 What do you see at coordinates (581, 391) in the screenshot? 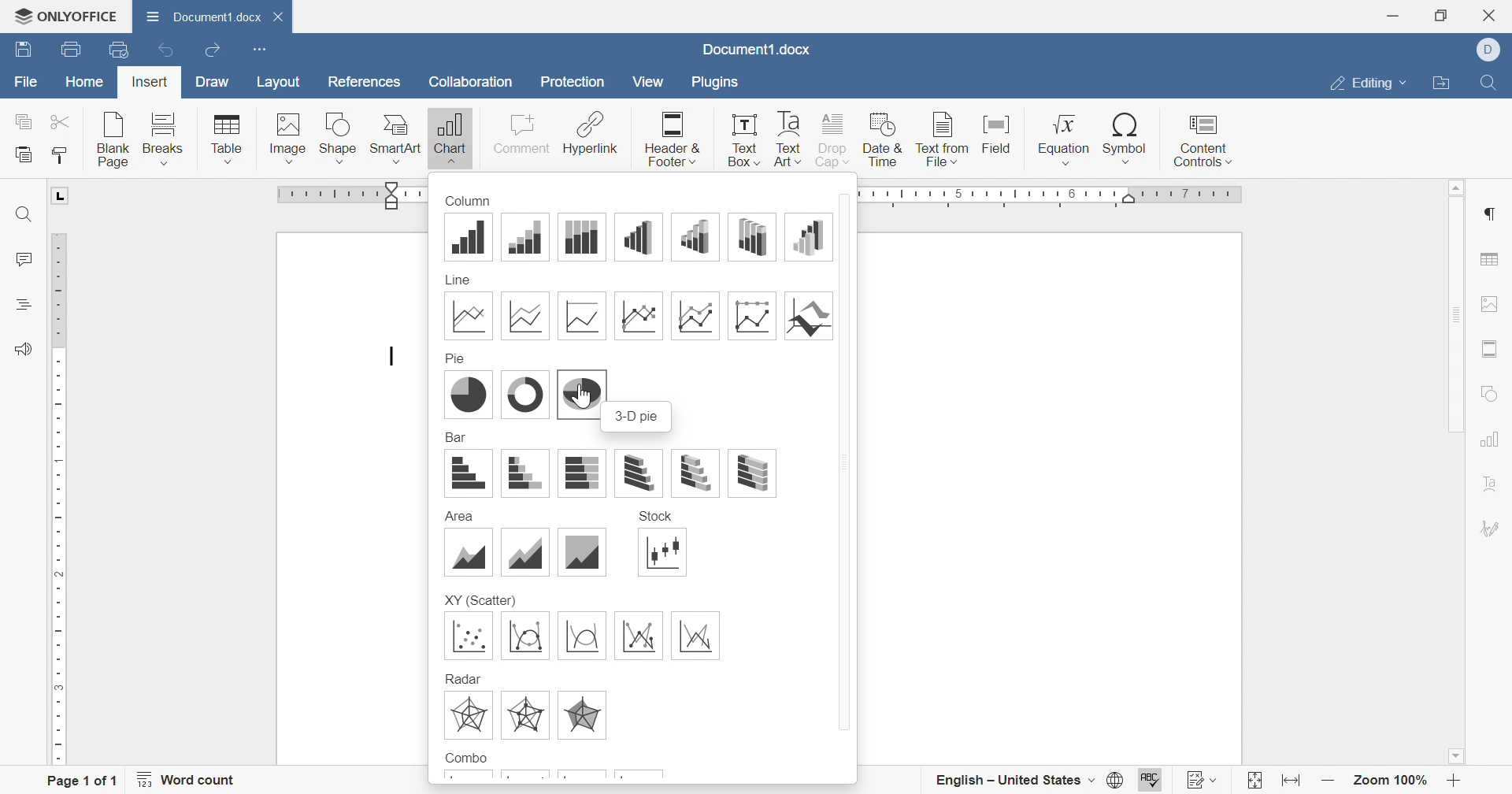
I see `3-D pie` at bounding box center [581, 391].